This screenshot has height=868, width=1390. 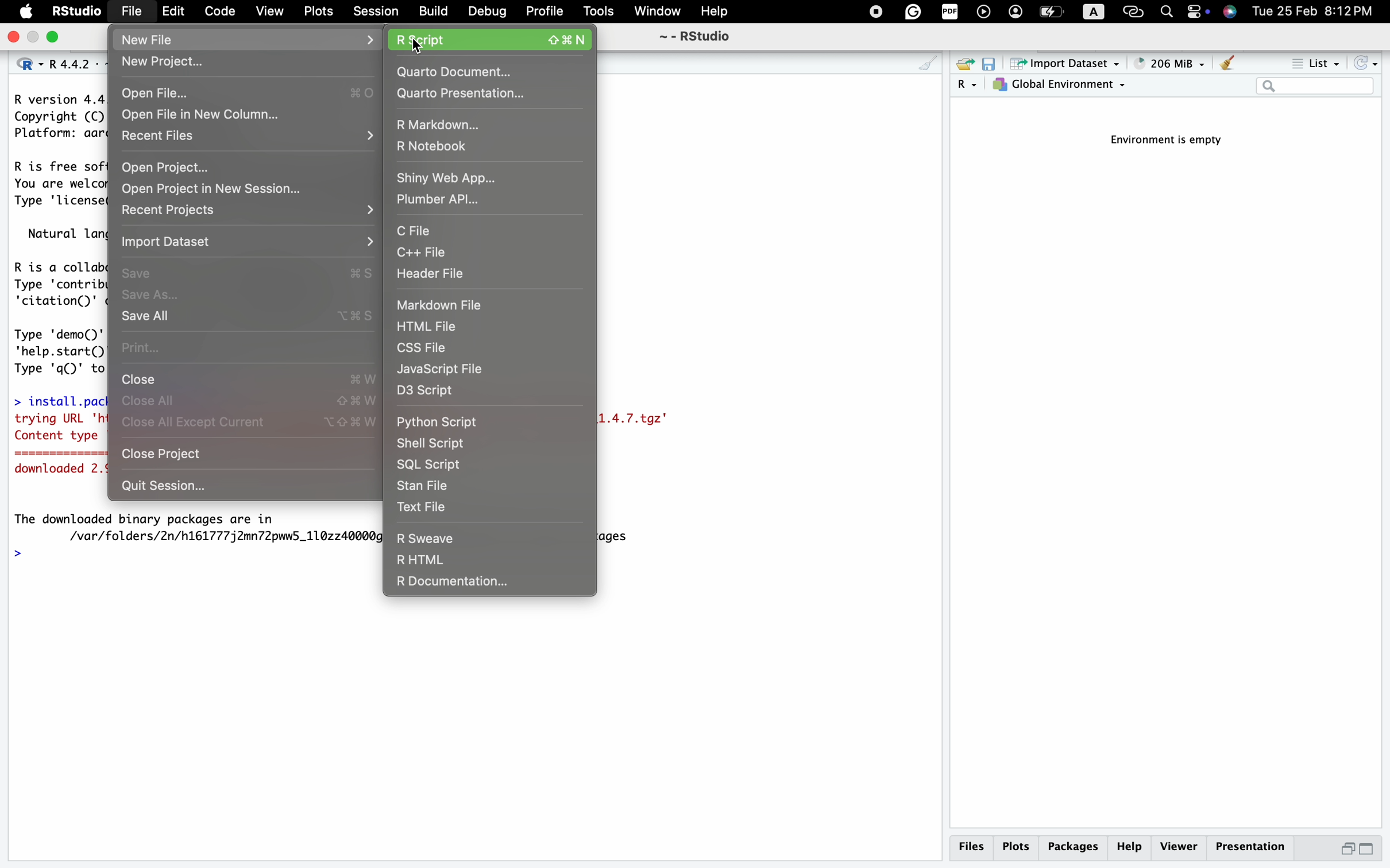 What do you see at coordinates (1368, 65) in the screenshot?
I see `refresh the list of objects in the environment` at bounding box center [1368, 65].